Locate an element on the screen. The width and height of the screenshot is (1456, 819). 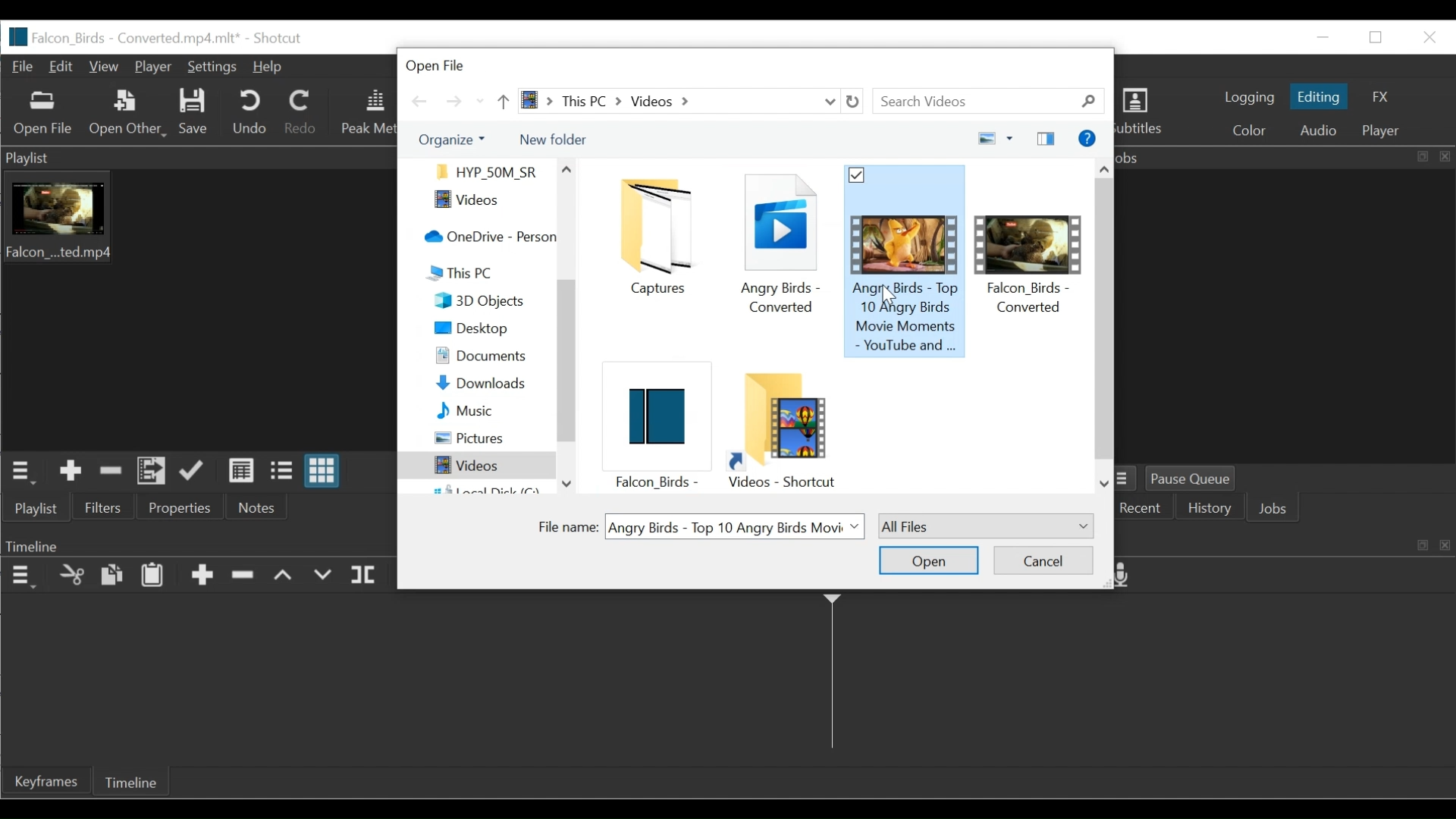
Save is located at coordinates (192, 114).